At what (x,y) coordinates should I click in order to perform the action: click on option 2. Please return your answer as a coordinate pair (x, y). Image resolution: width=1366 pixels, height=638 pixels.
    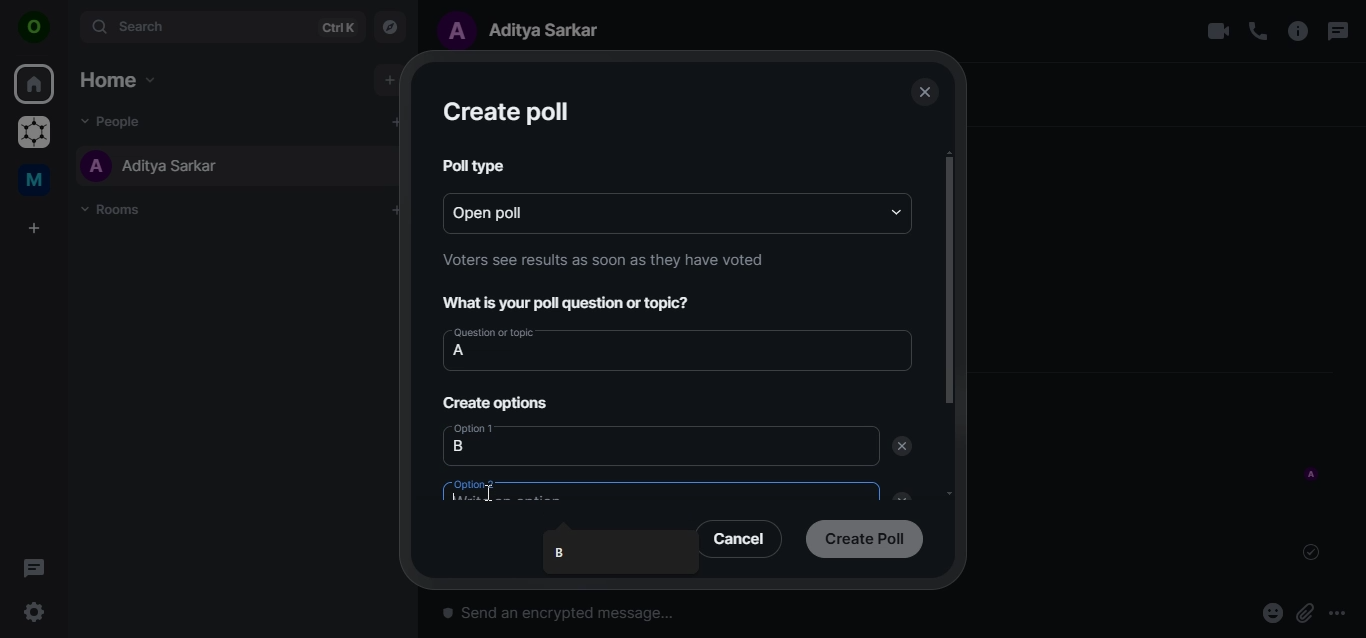
    Looking at the image, I should click on (489, 489).